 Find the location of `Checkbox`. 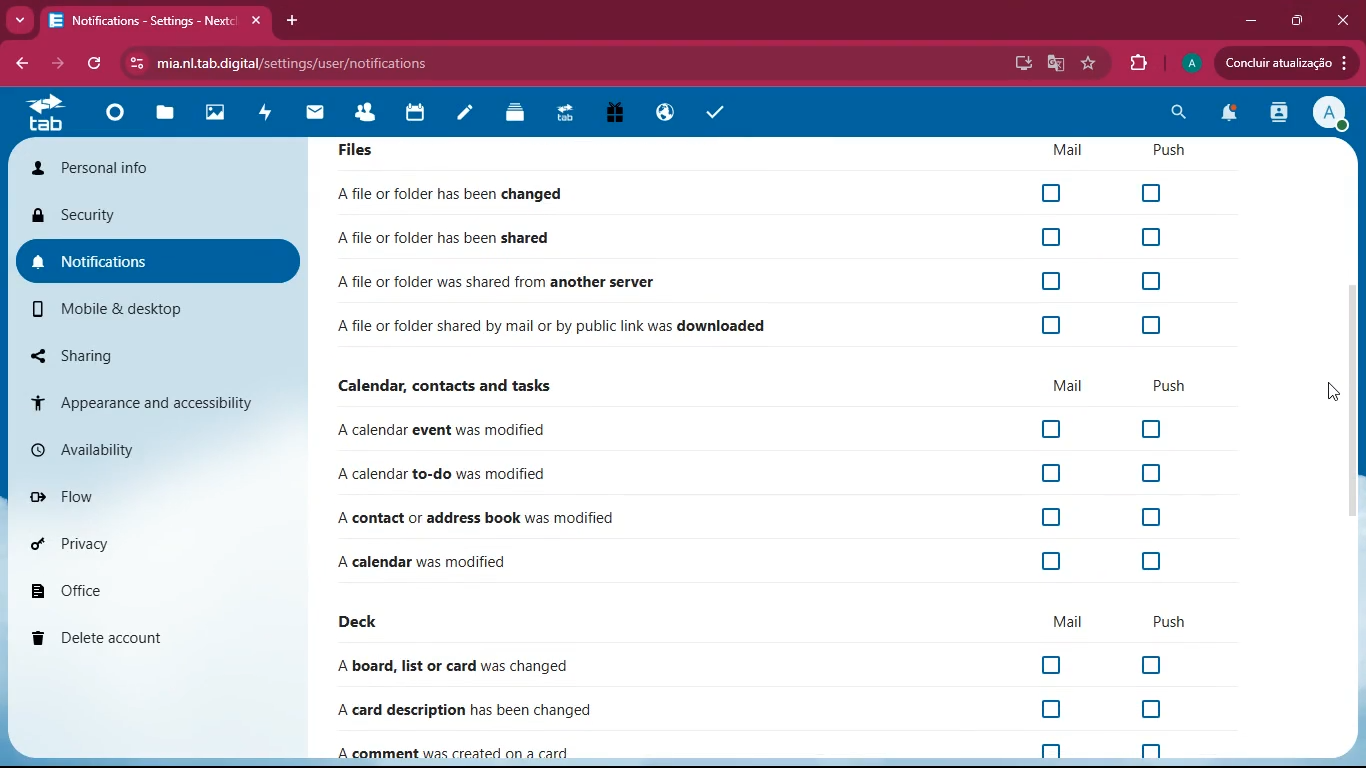

Checkbox is located at coordinates (1054, 238).